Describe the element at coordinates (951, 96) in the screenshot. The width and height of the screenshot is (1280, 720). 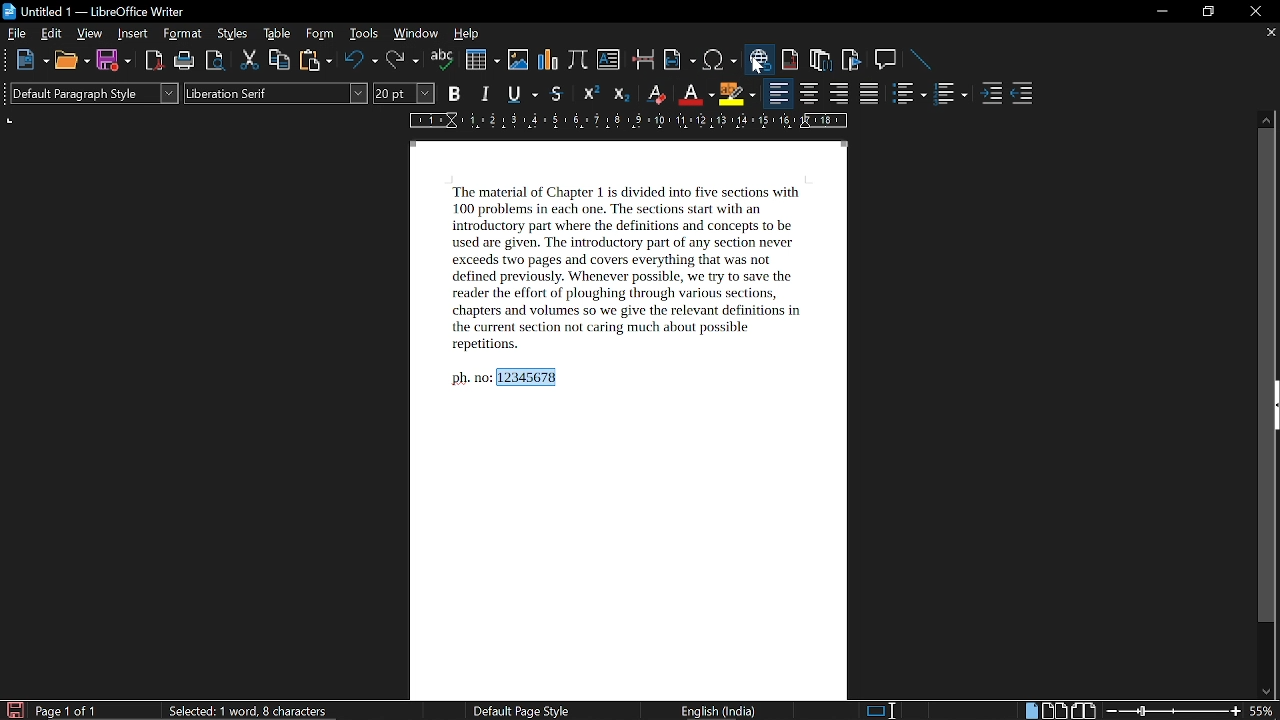
I see `toggle ordered list` at that location.